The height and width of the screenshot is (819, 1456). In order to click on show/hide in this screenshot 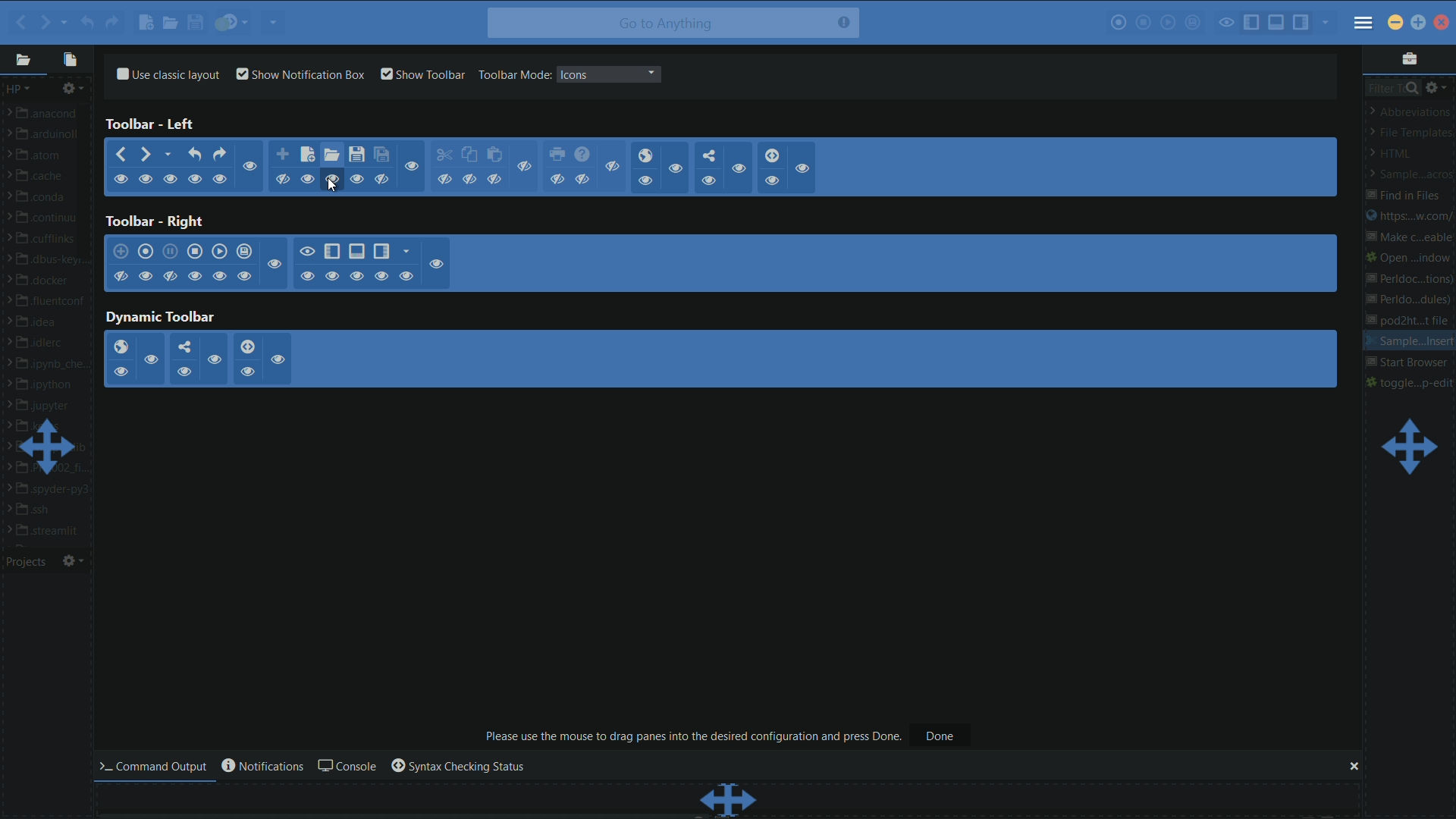, I will do `click(282, 180)`.